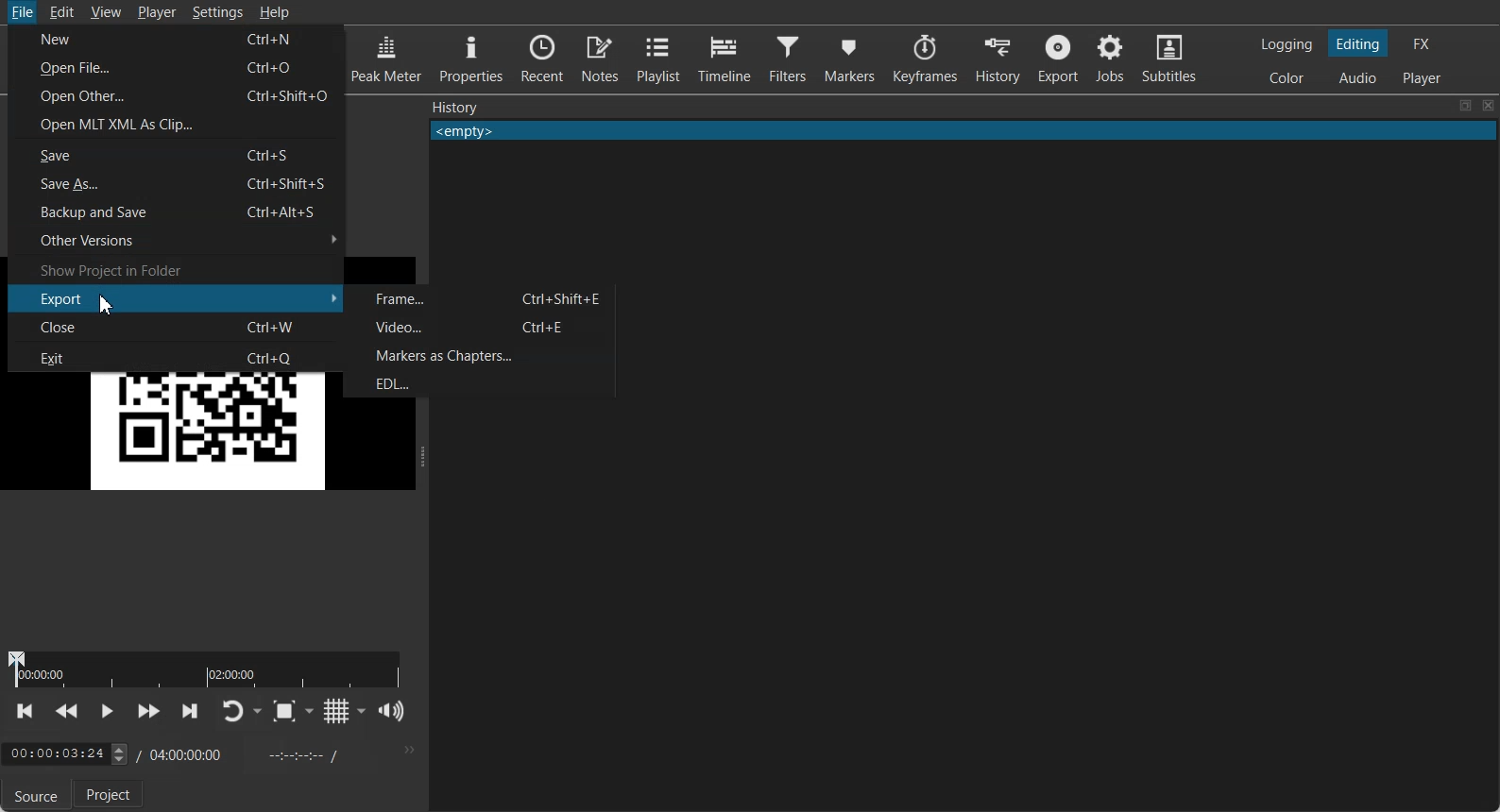  I want to click on Open MLT XML as Clip, so click(177, 125).